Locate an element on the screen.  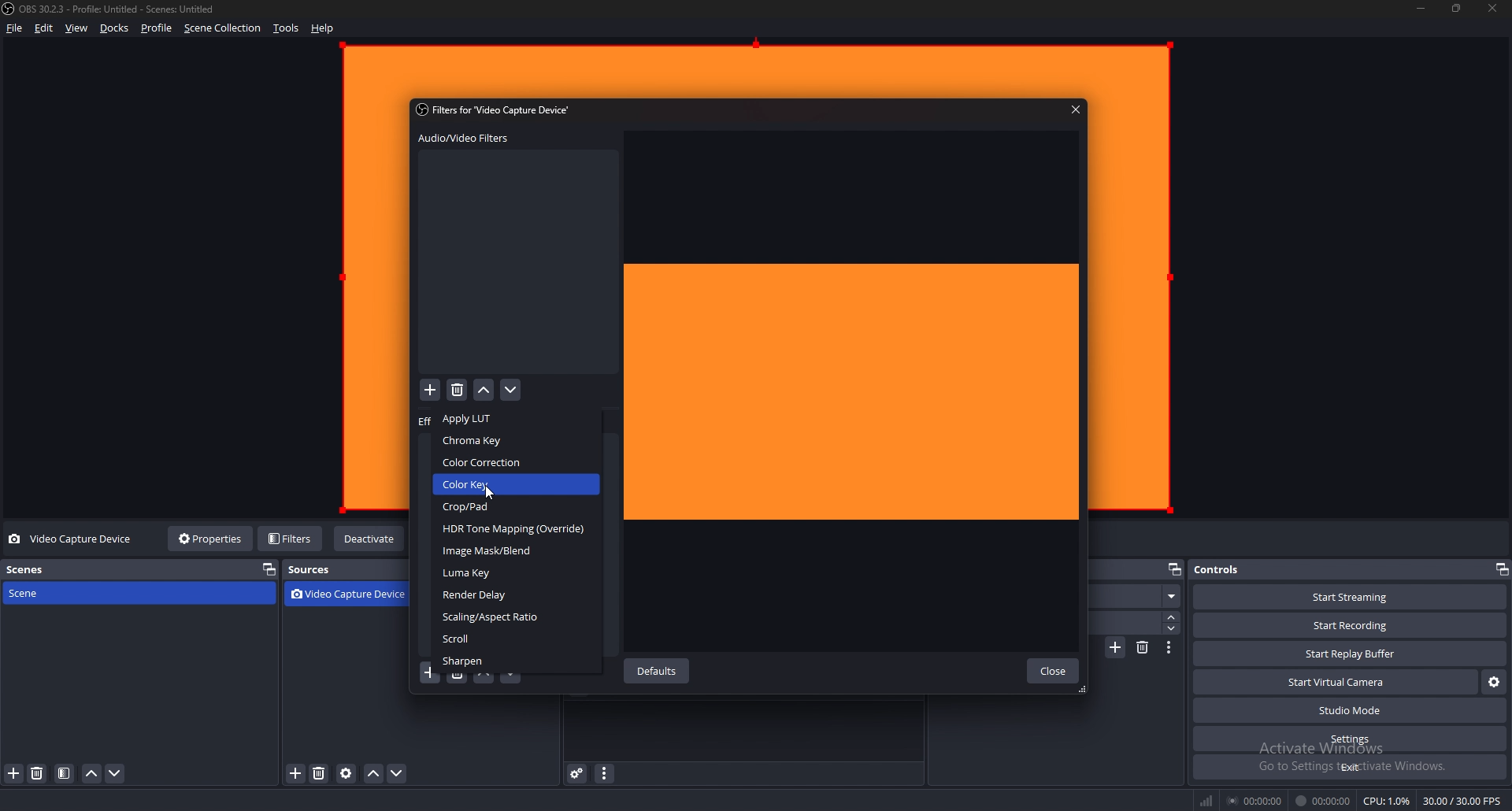
docks is located at coordinates (115, 28).